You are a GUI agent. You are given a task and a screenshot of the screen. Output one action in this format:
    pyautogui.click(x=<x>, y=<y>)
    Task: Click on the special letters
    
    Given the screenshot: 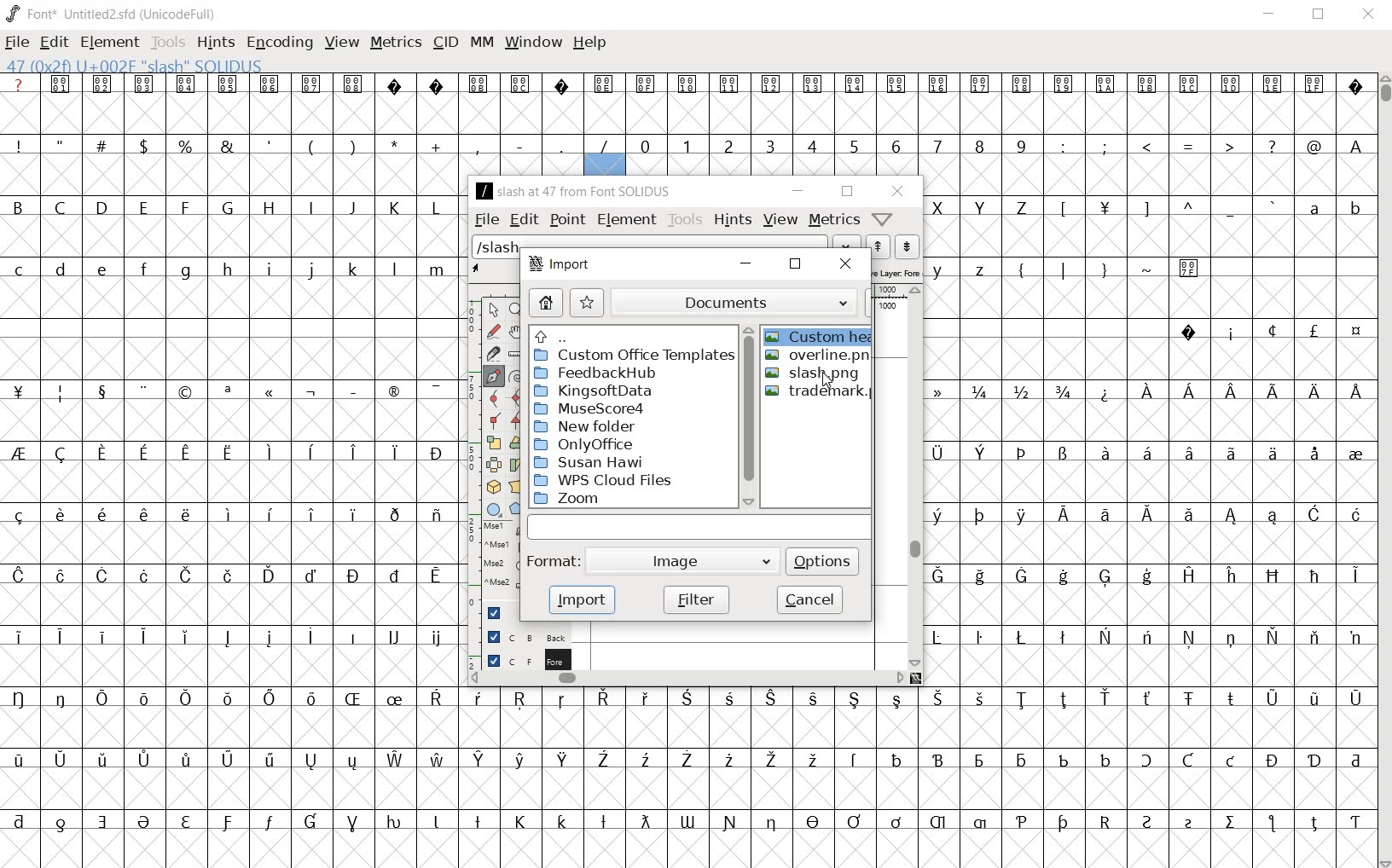 What is the action you would take?
    pyautogui.click(x=684, y=760)
    